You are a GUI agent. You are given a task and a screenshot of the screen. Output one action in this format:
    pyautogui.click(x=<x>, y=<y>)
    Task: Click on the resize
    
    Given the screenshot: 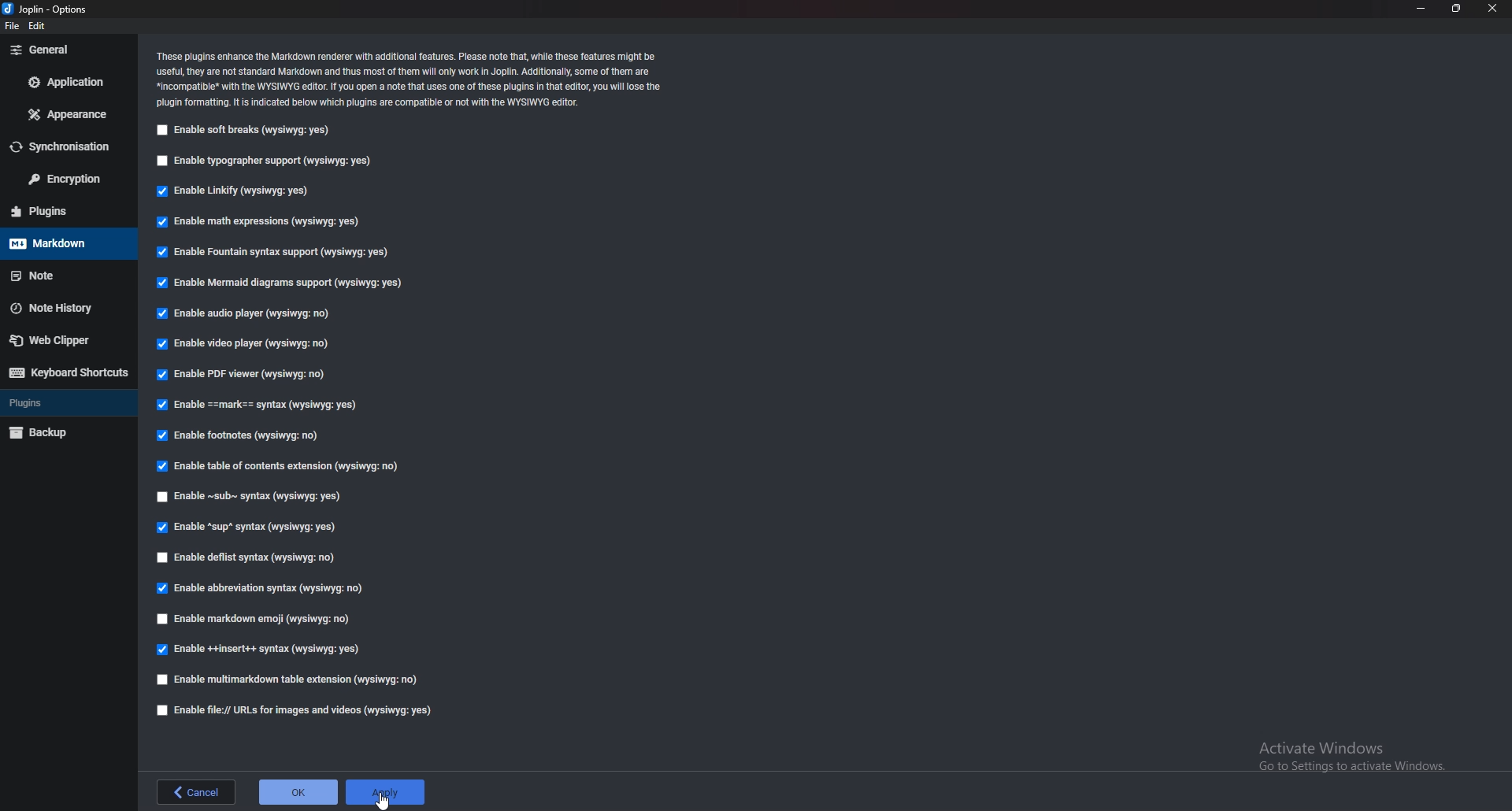 What is the action you would take?
    pyautogui.click(x=1455, y=9)
    